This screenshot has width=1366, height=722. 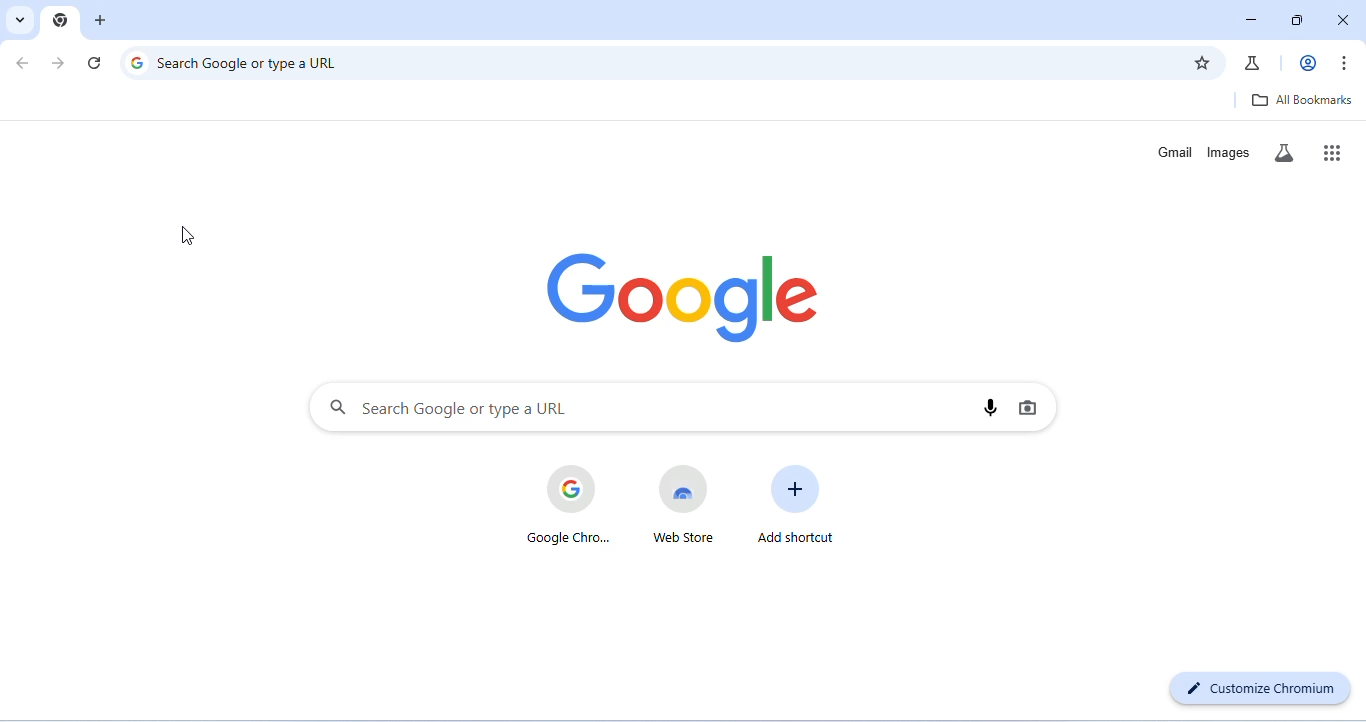 I want to click on image search, so click(x=1028, y=407).